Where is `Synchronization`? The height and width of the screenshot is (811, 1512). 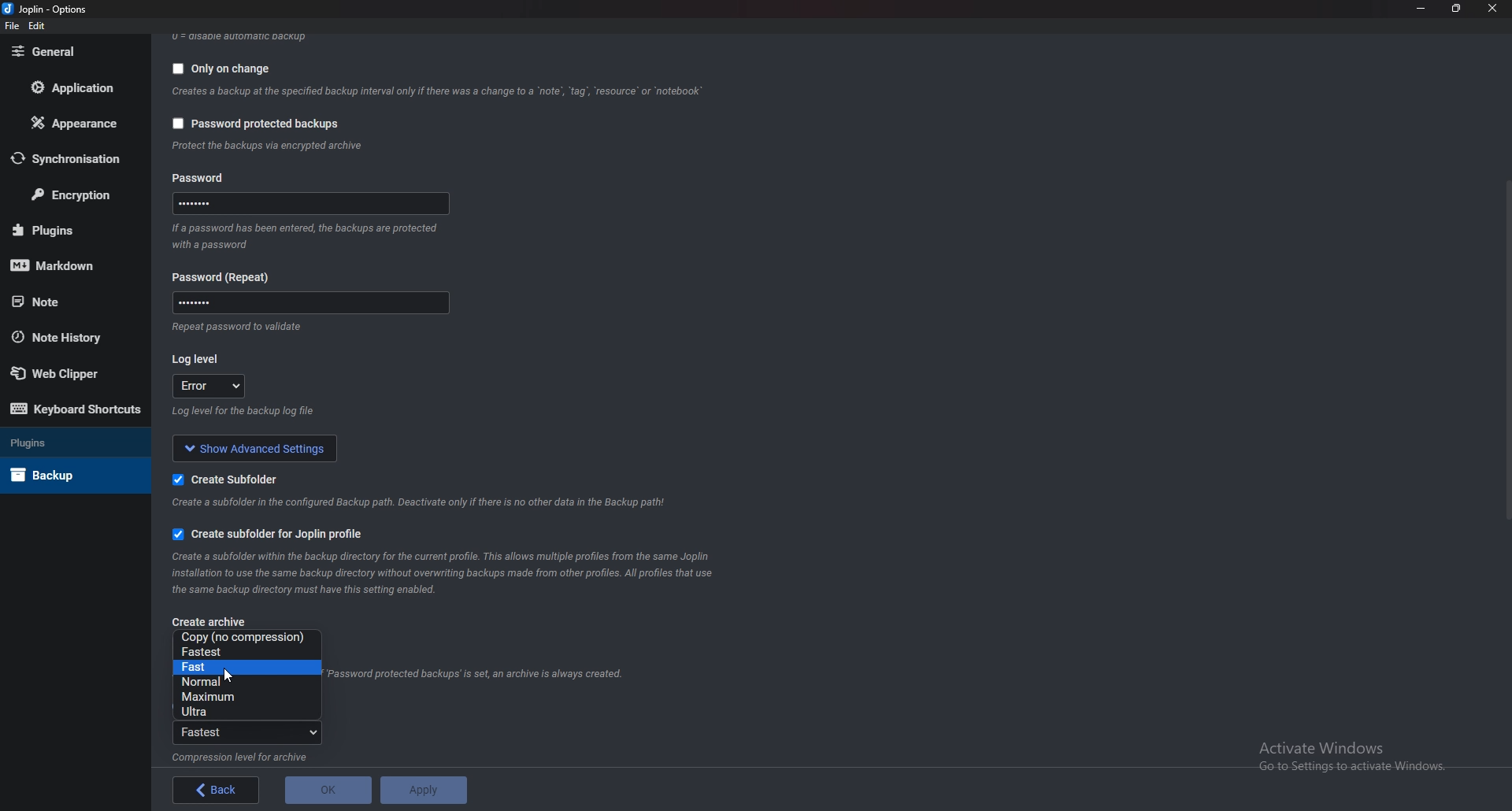
Synchronization is located at coordinates (76, 161).